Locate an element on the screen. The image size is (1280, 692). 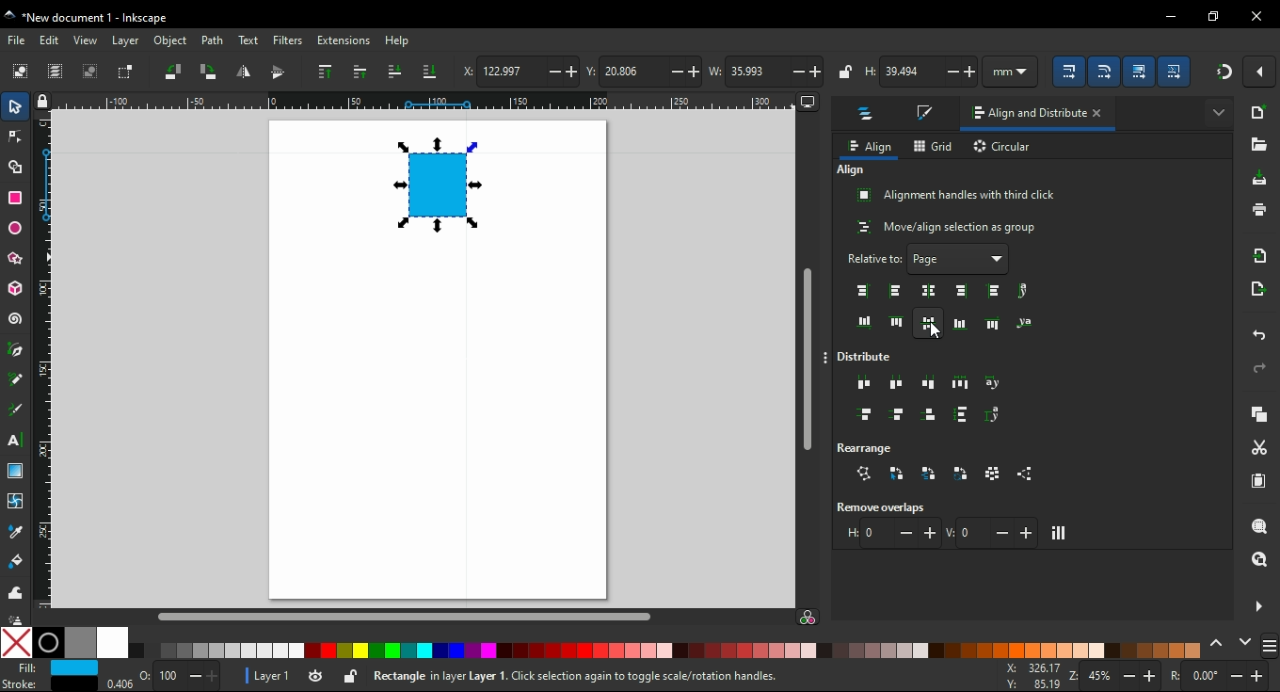
close window is located at coordinates (1257, 16).